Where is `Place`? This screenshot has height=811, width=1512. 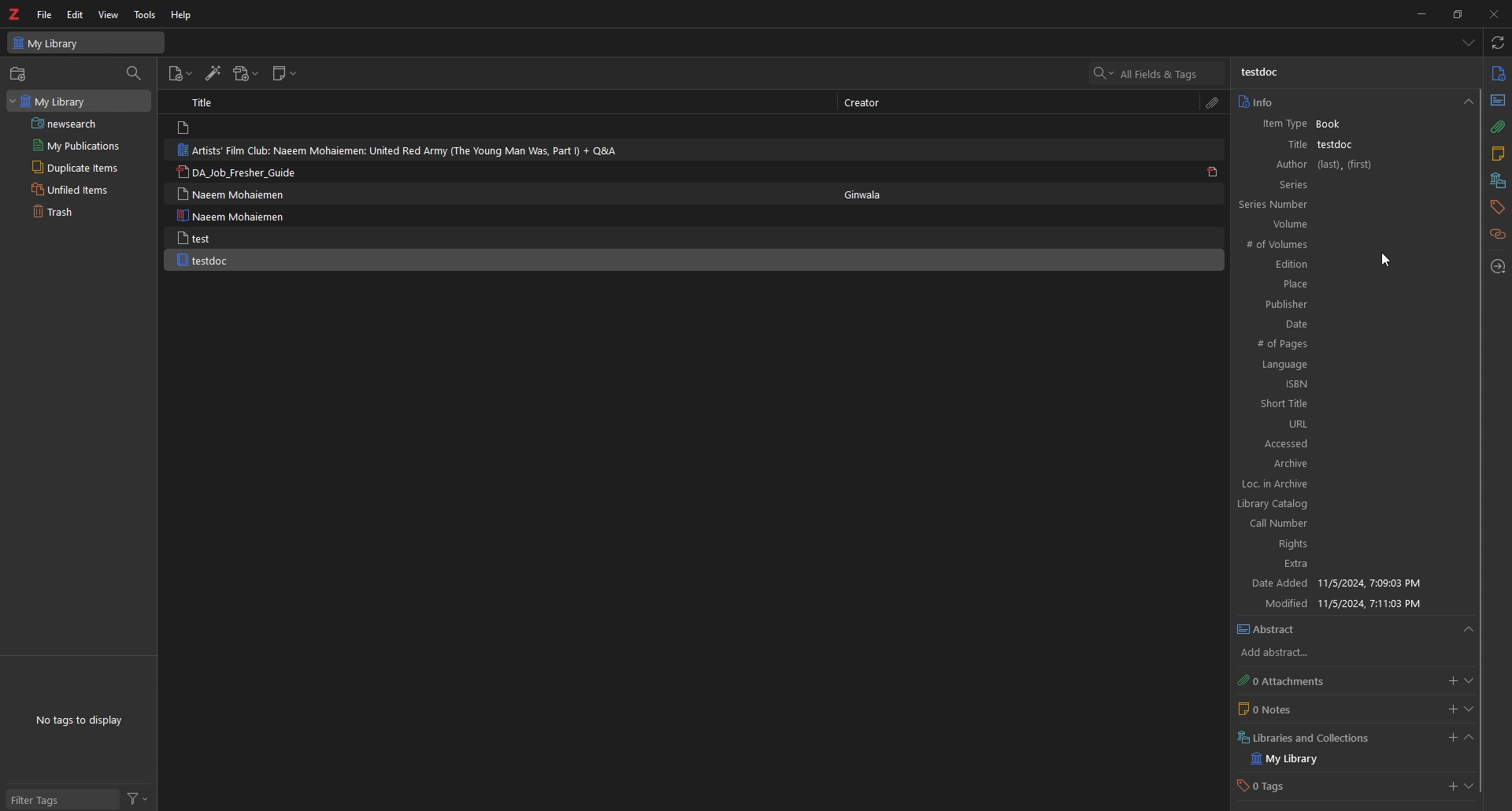
Place is located at coordinates (1356, 284).